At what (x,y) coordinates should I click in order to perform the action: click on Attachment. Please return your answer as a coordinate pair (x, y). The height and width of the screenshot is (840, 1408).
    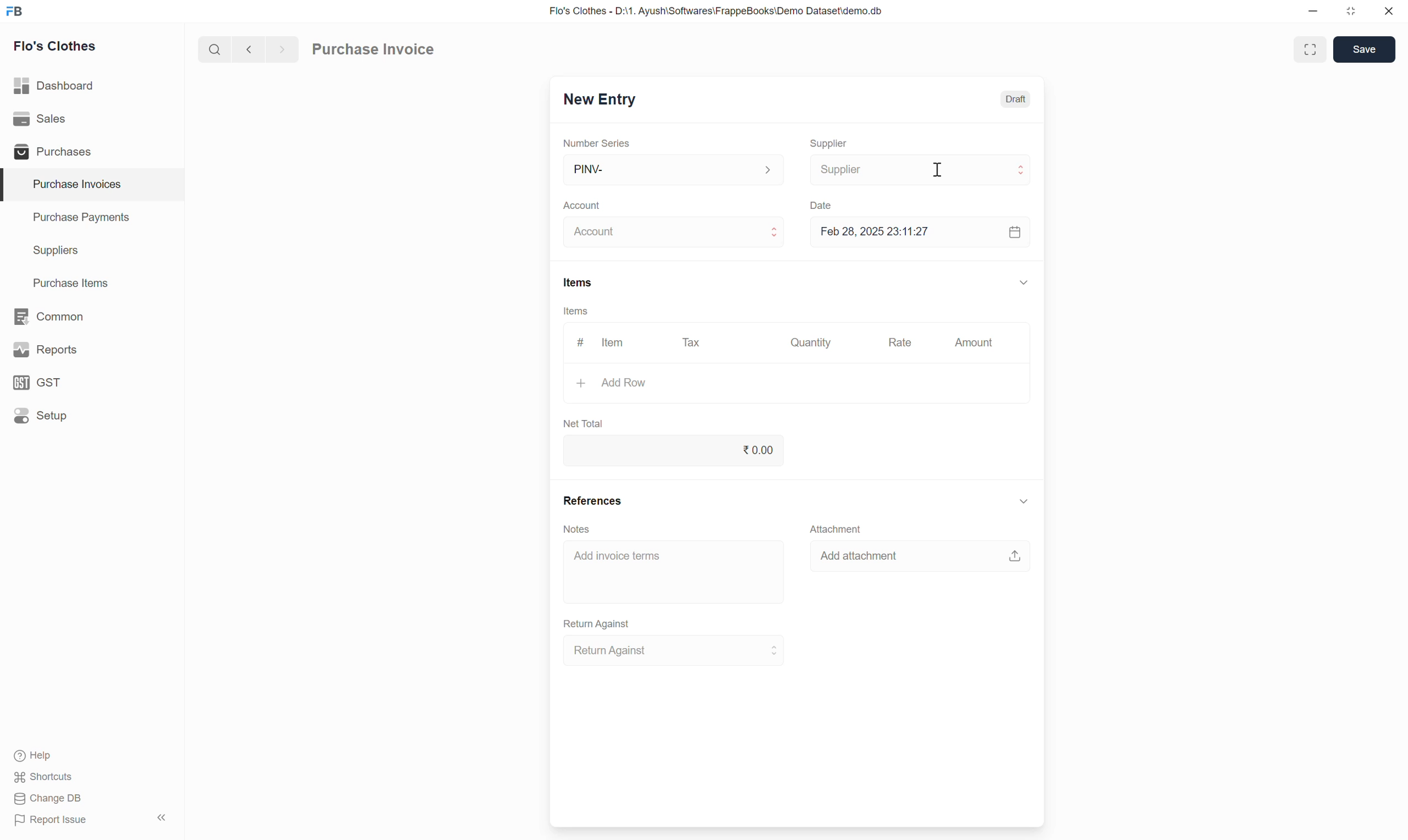
    Looking at the image, I should click on (836, 529).